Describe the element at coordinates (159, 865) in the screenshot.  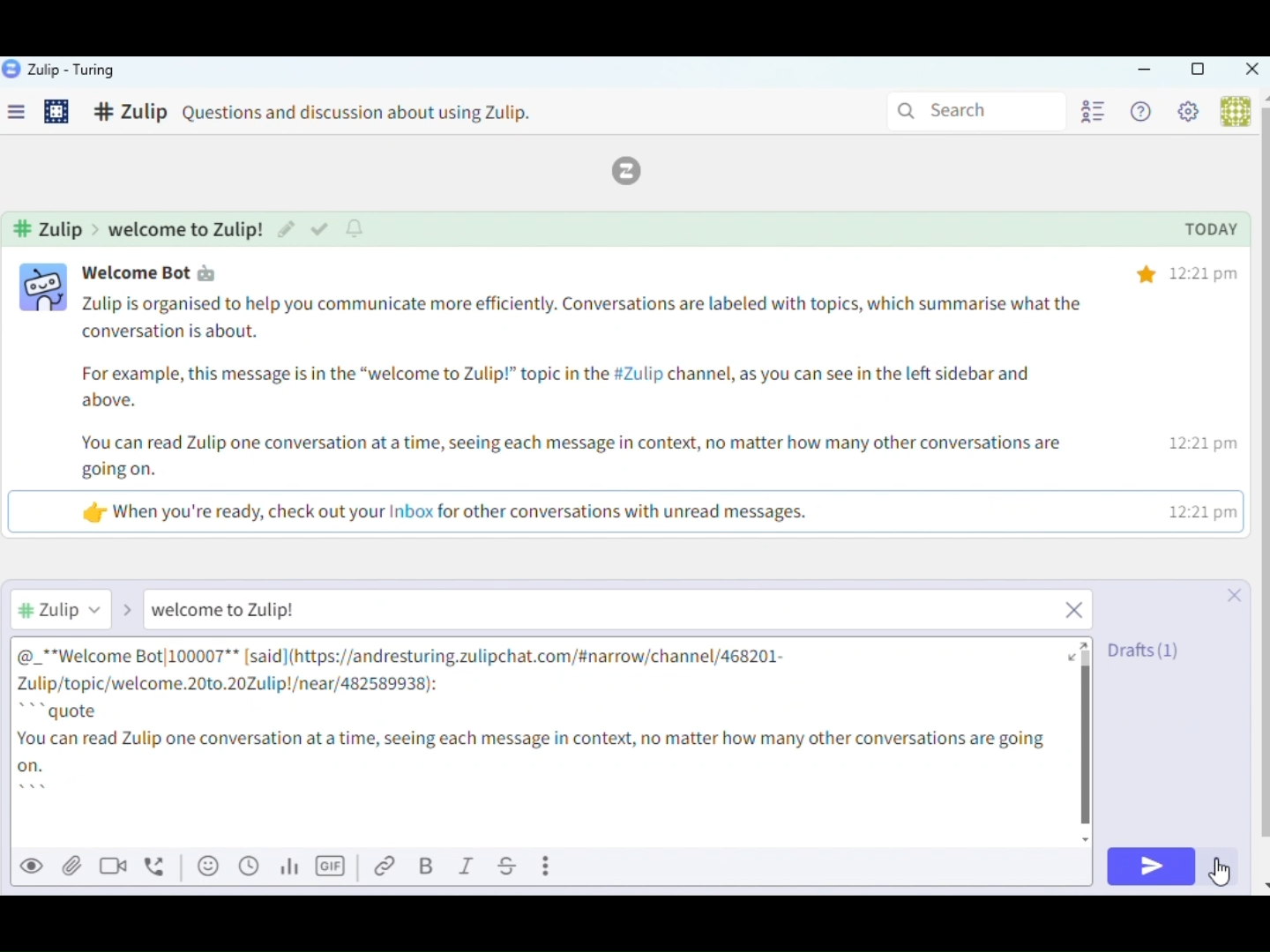
I see `VoiceCall` at that location.